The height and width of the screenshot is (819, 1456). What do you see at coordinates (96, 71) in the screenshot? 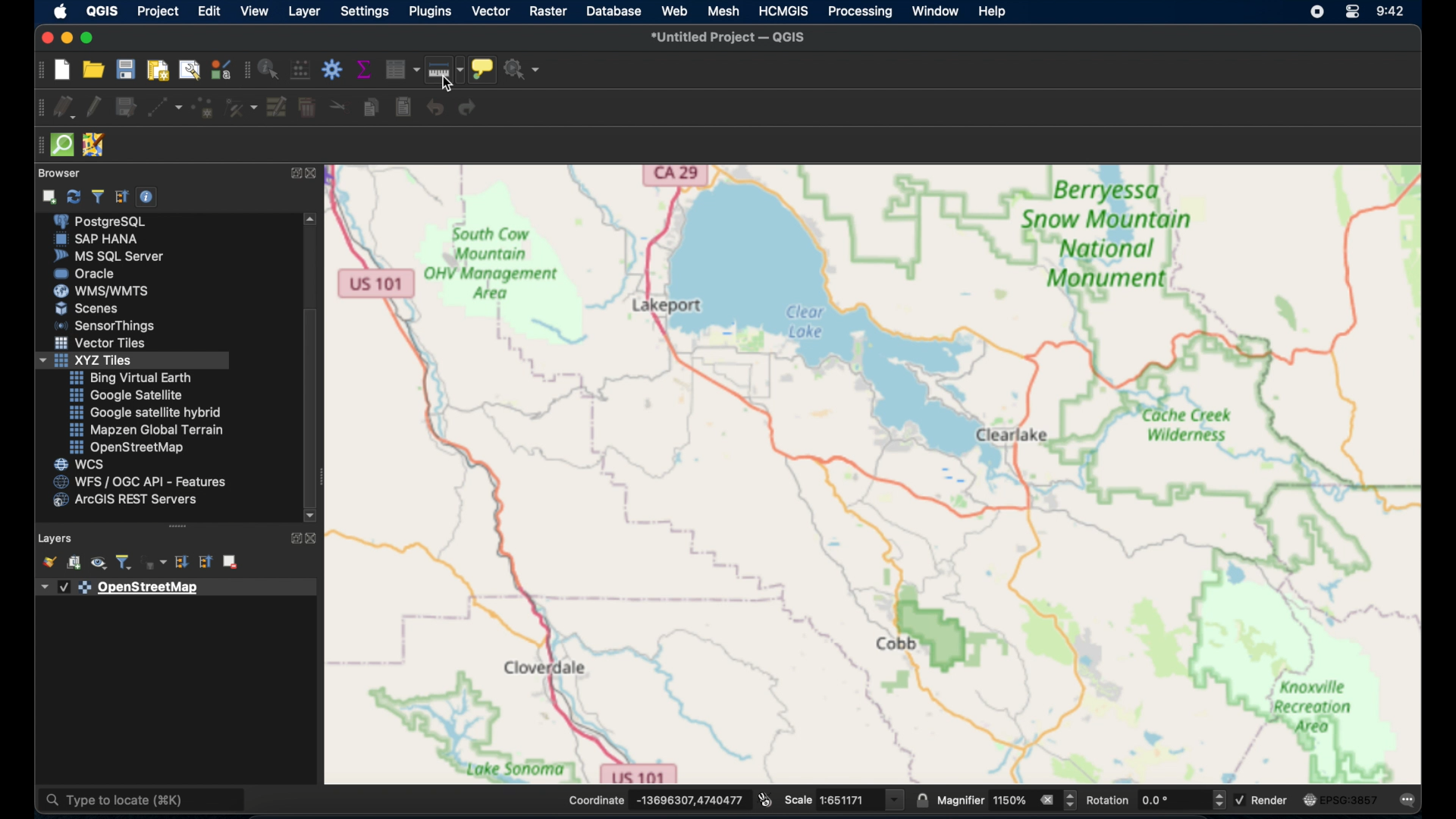
I see `open project` at bounding box center [96, 71].